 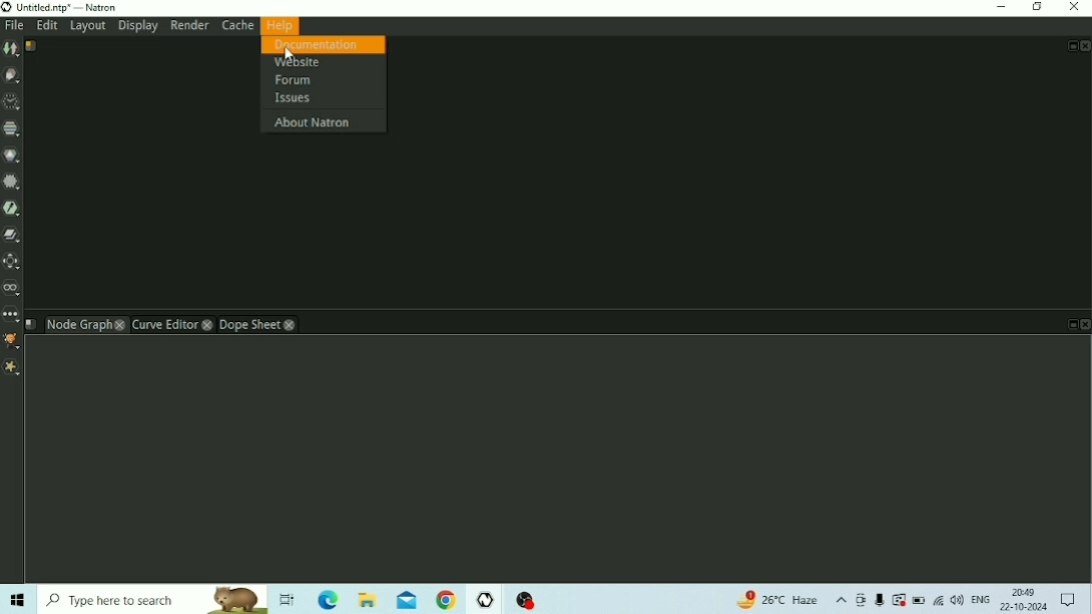 I want to click on Logo, so click(x=7, y=7).